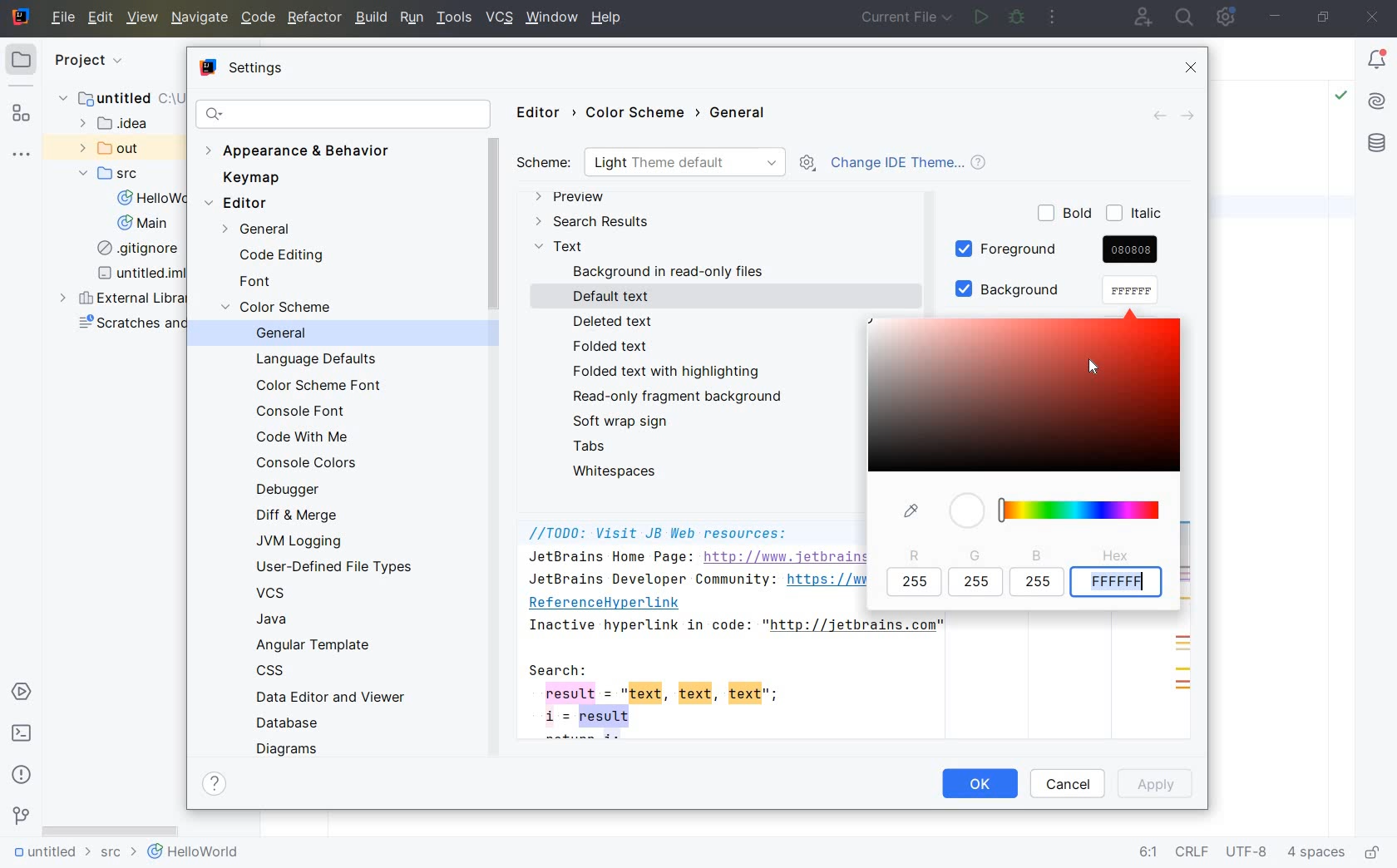  What do you see at coordinates (592, 446) in the screenshot?
I see `TABS` at bounding box center [592, 446].